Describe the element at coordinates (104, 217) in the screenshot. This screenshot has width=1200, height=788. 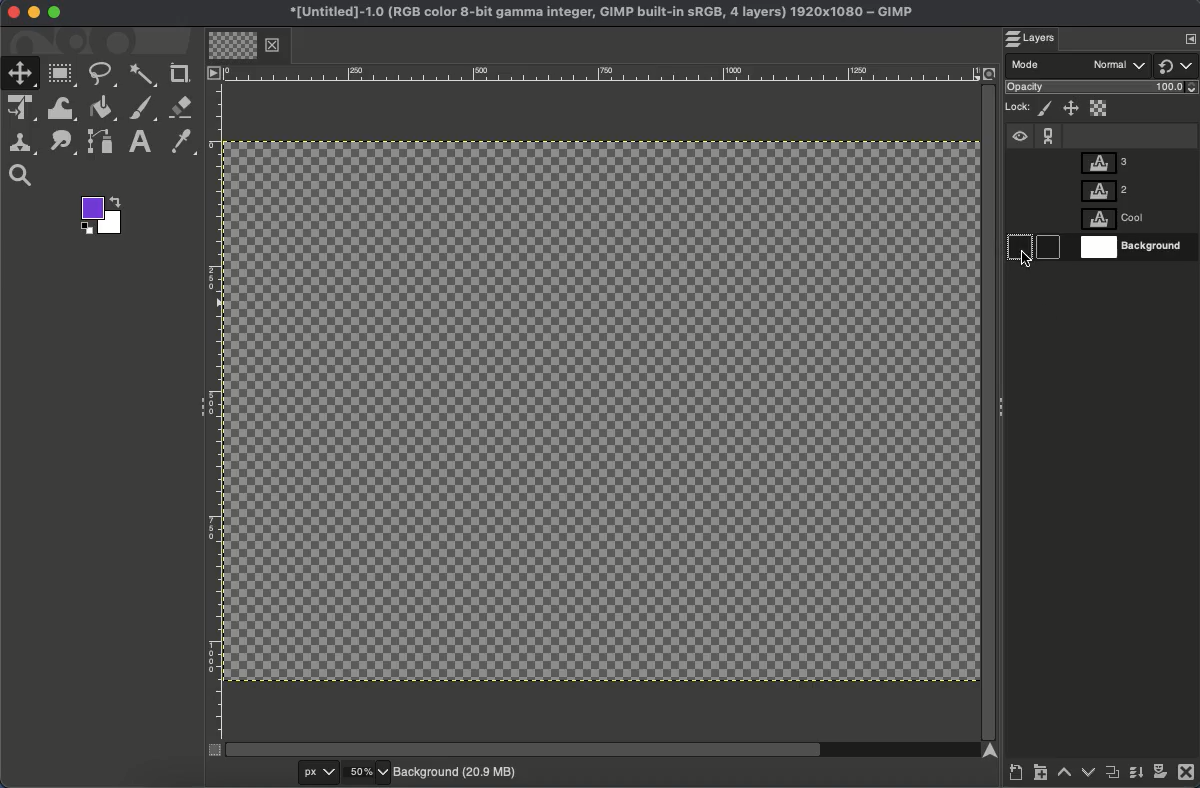
I see `Colors` at that location.